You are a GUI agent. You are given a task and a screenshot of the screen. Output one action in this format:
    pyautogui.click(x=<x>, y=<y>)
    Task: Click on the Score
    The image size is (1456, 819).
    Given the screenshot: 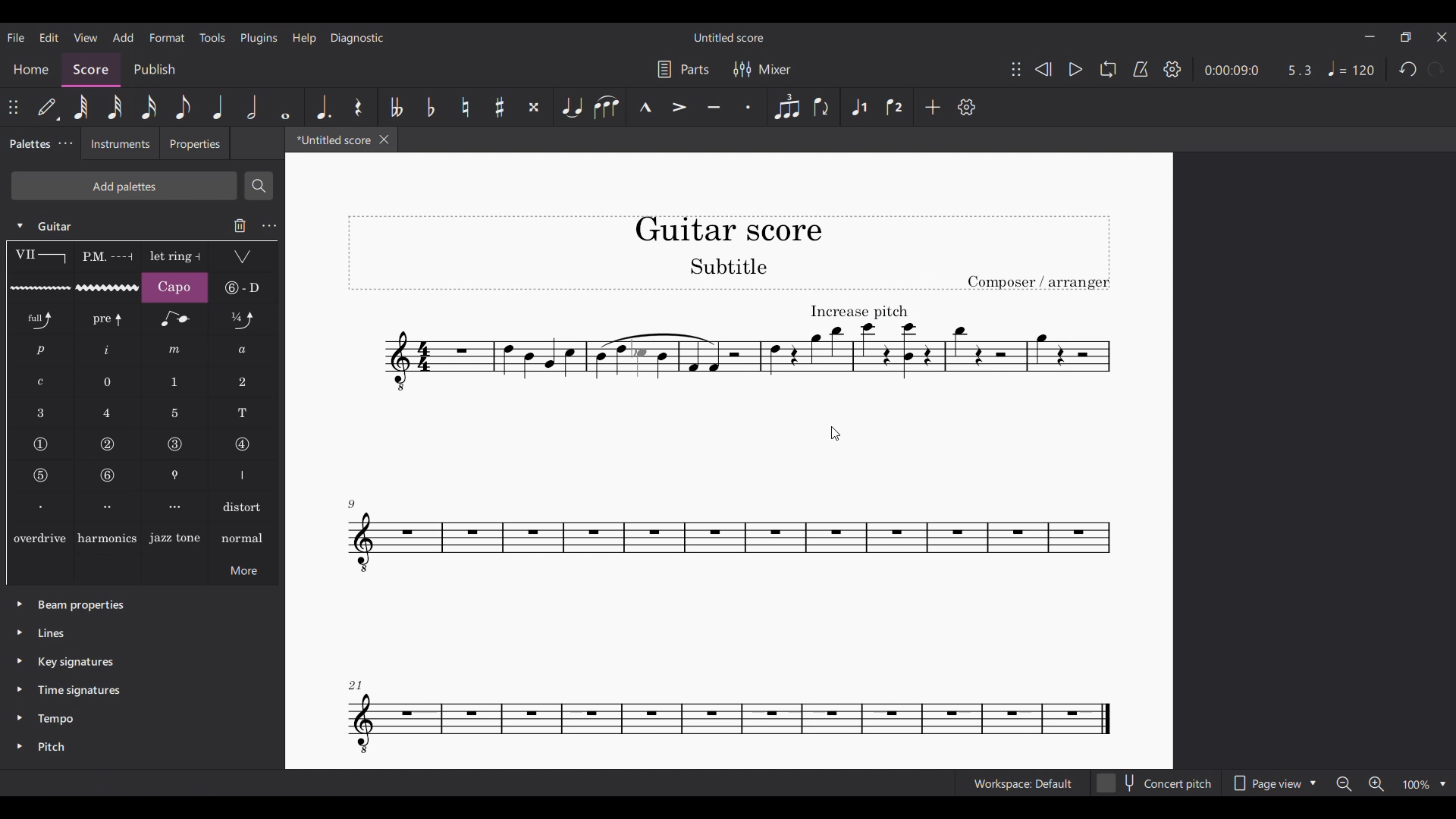 What is the action you would take?
    pyautogui.click(x=92, y=70)
    